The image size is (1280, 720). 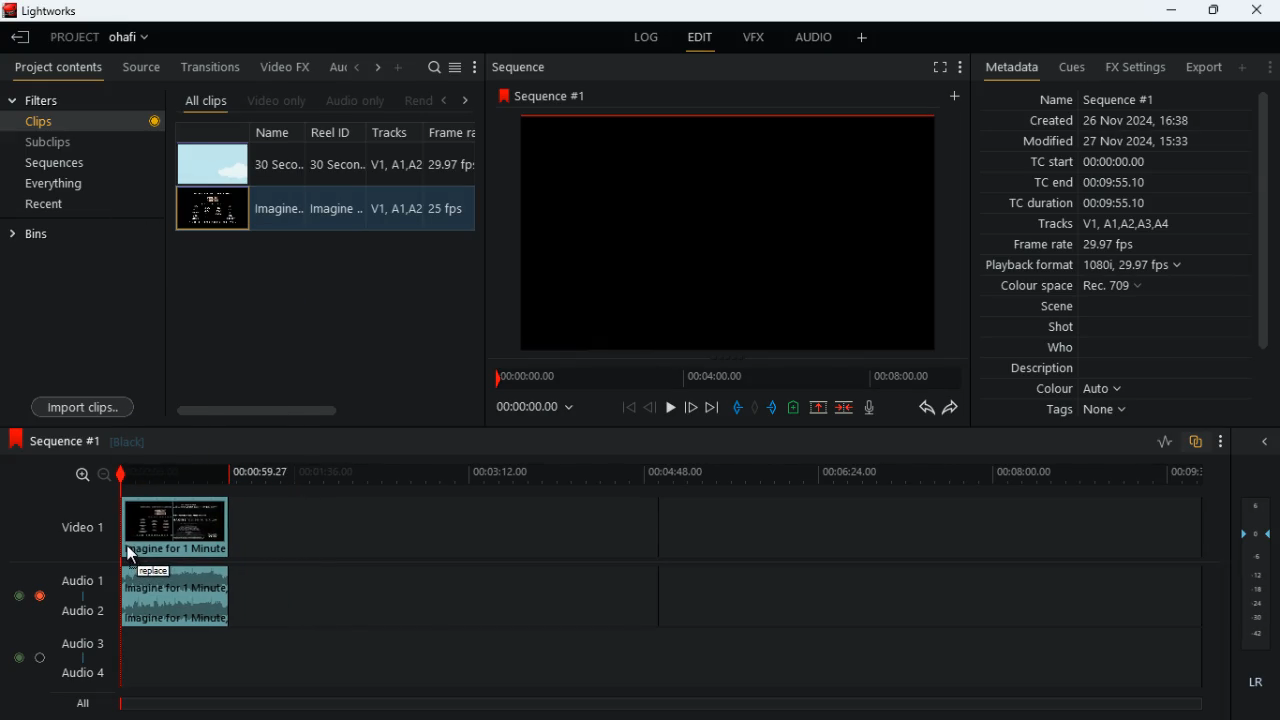 What do you see at coordinates (1065, 347) in the screenshot?
I see `who` at bounding box center [1065, 347].